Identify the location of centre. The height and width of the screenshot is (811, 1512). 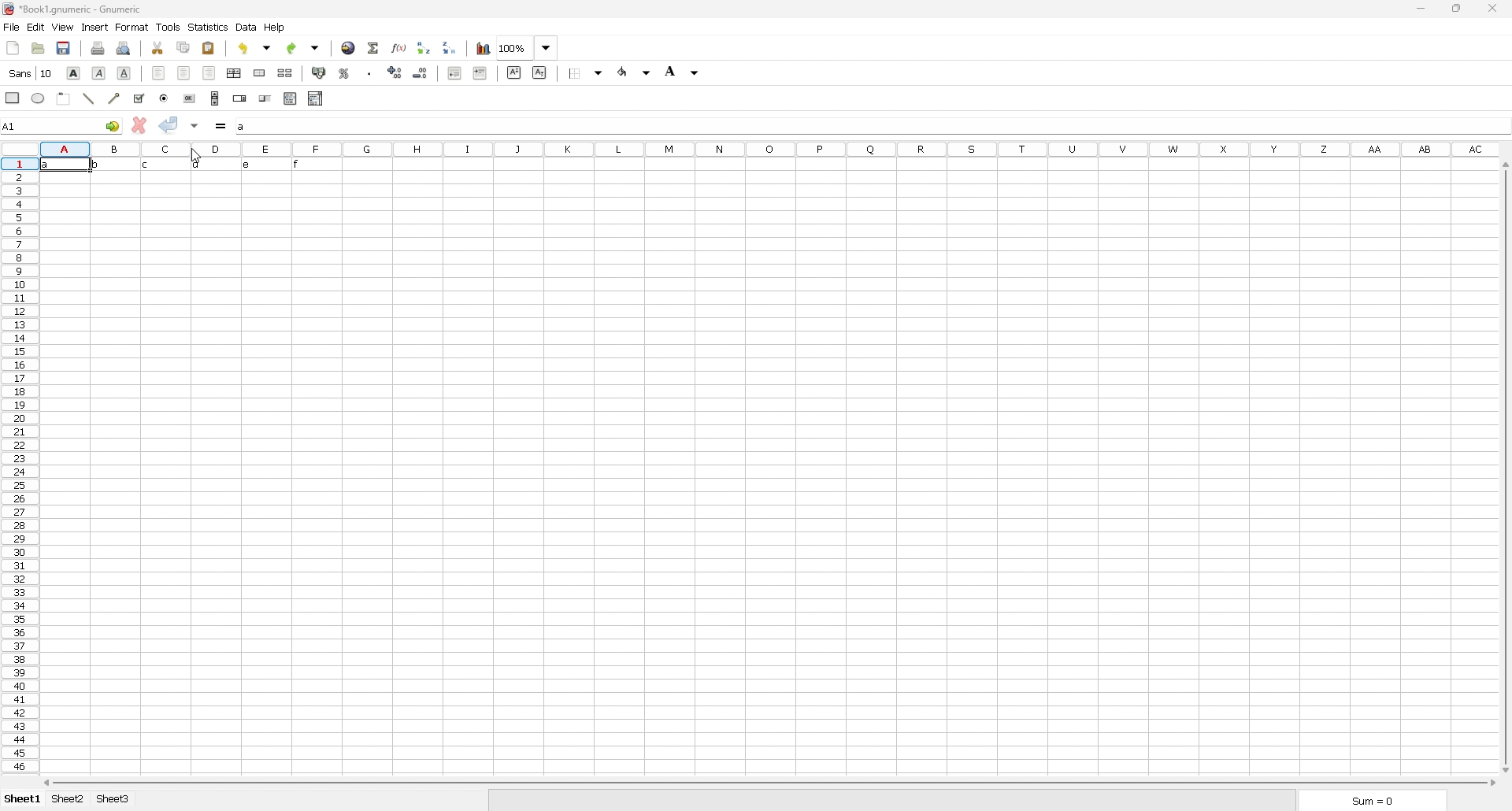
(183, 72).